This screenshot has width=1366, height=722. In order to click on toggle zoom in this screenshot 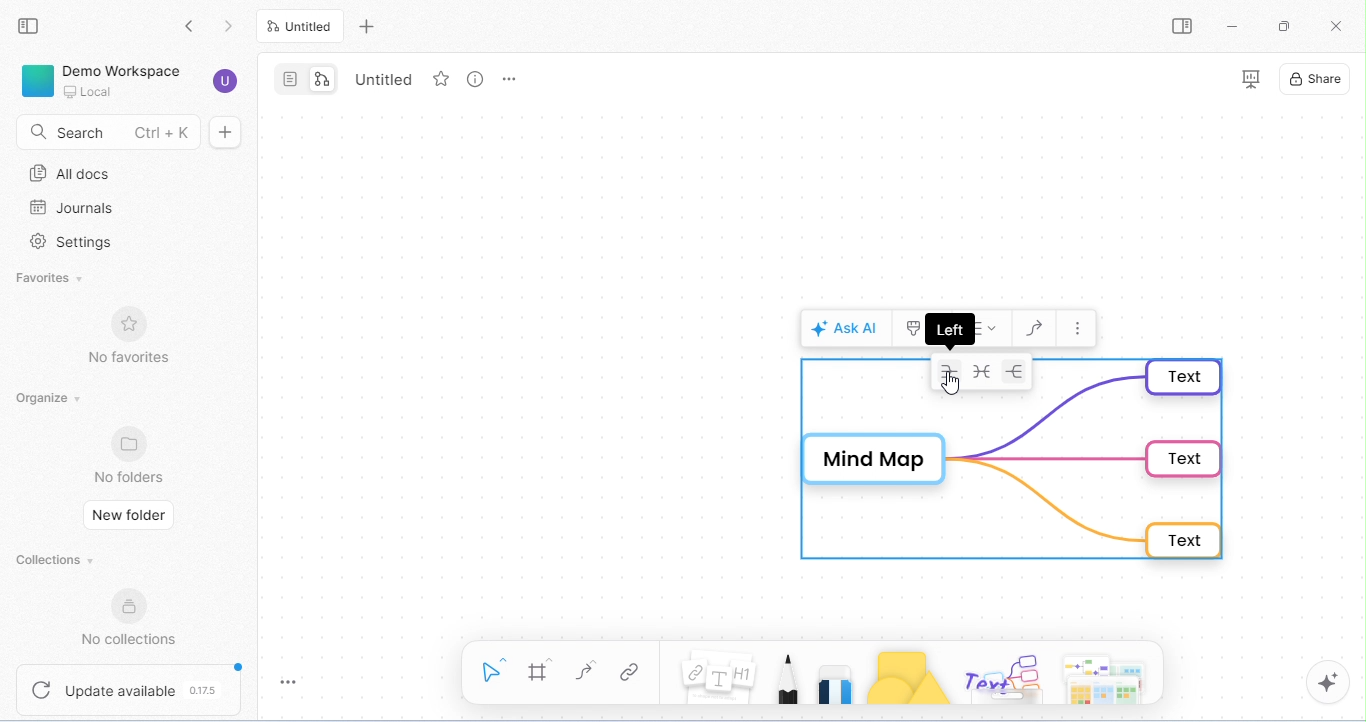, I will do `click(296, 683)`.